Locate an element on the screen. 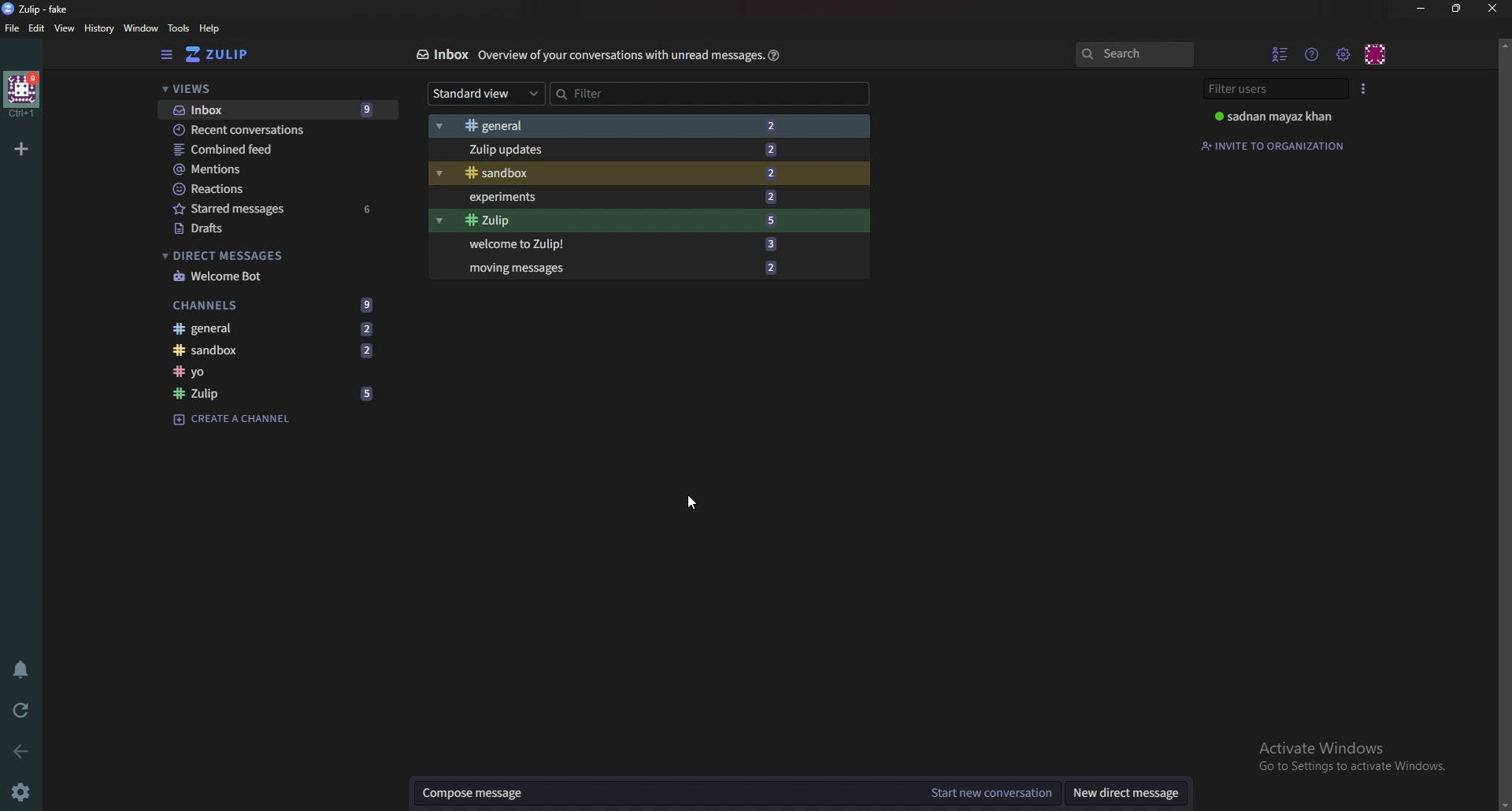  New direct message is located at coordinates (1126, 792).